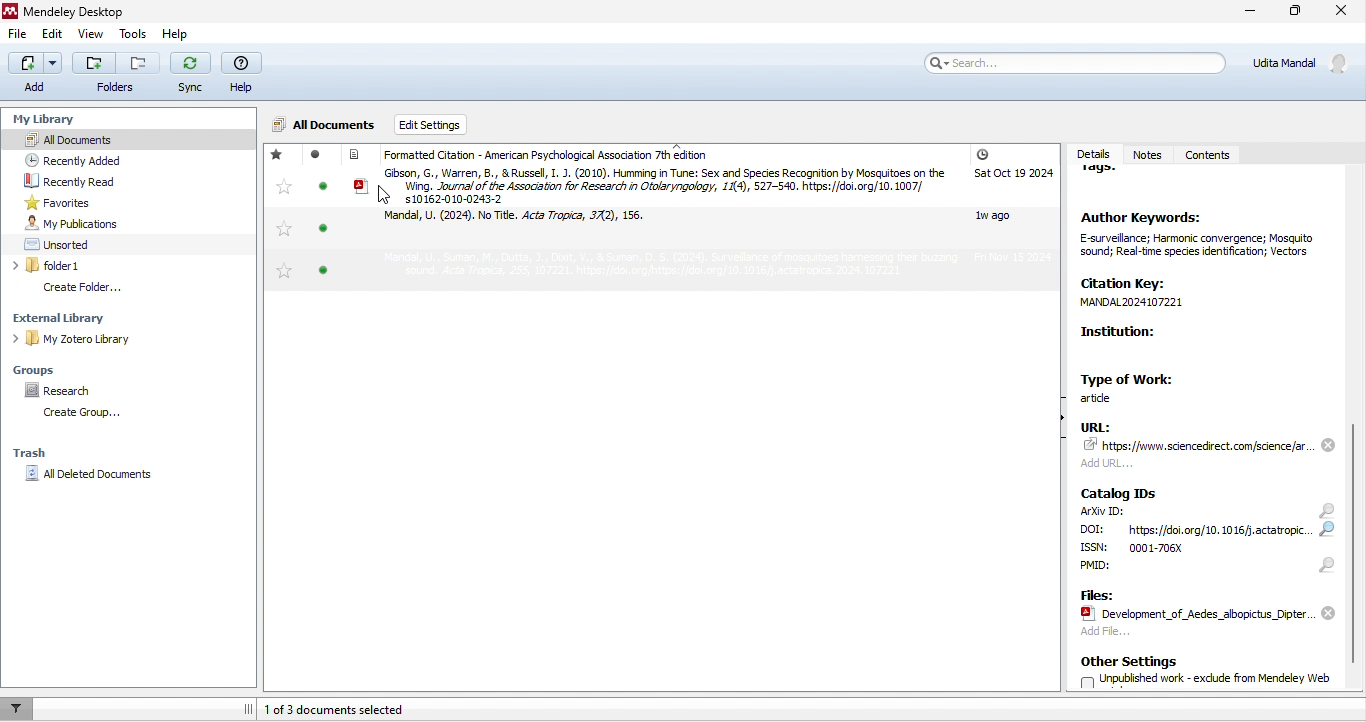  Describe the element at coordinates (1195, 446) in the screenshot. I see `URL:
77 https: www. sciencedrect, com/sdence/ar.` at that location.